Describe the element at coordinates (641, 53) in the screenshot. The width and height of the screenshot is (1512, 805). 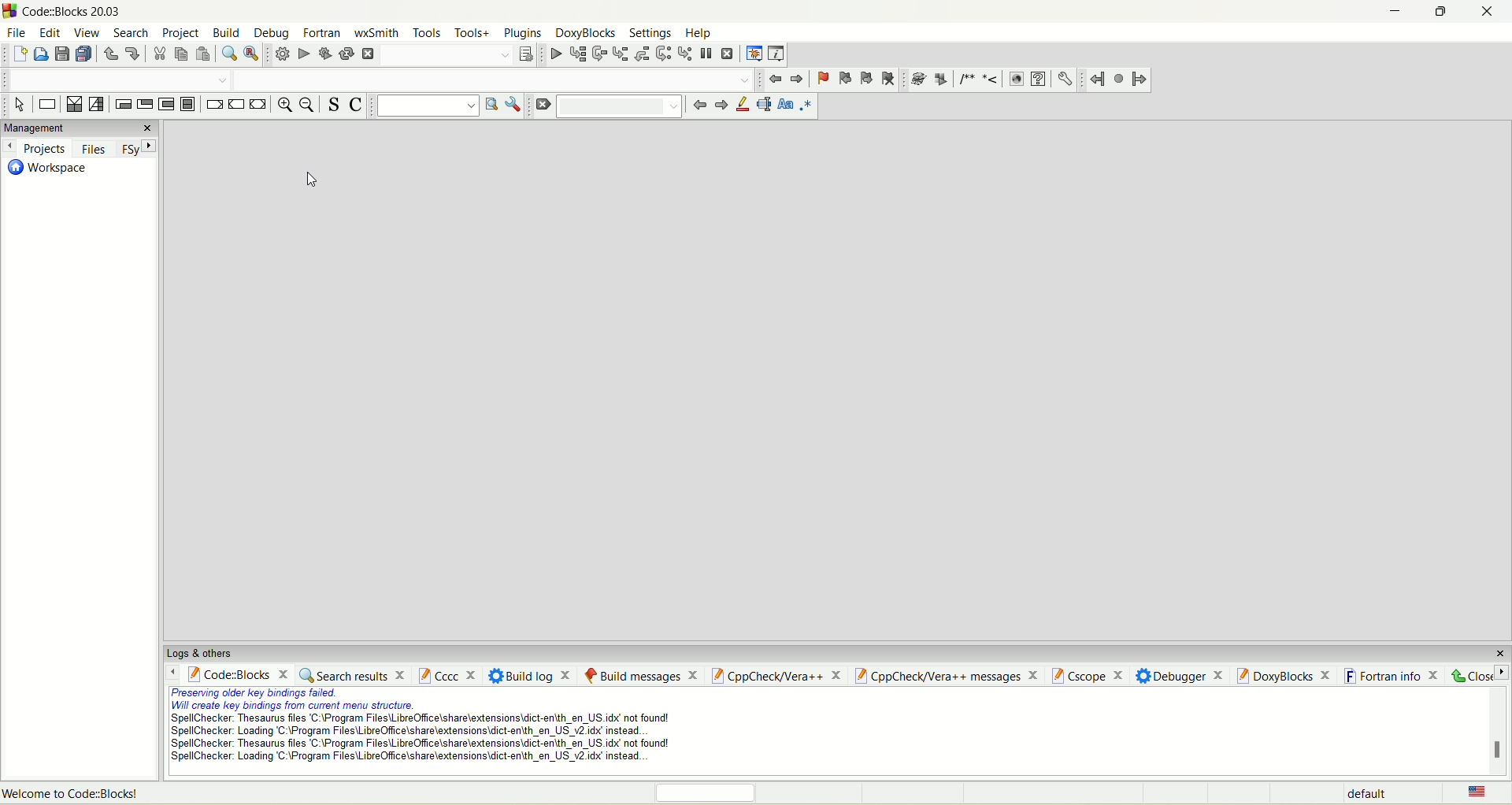
I see `step out` at that location.